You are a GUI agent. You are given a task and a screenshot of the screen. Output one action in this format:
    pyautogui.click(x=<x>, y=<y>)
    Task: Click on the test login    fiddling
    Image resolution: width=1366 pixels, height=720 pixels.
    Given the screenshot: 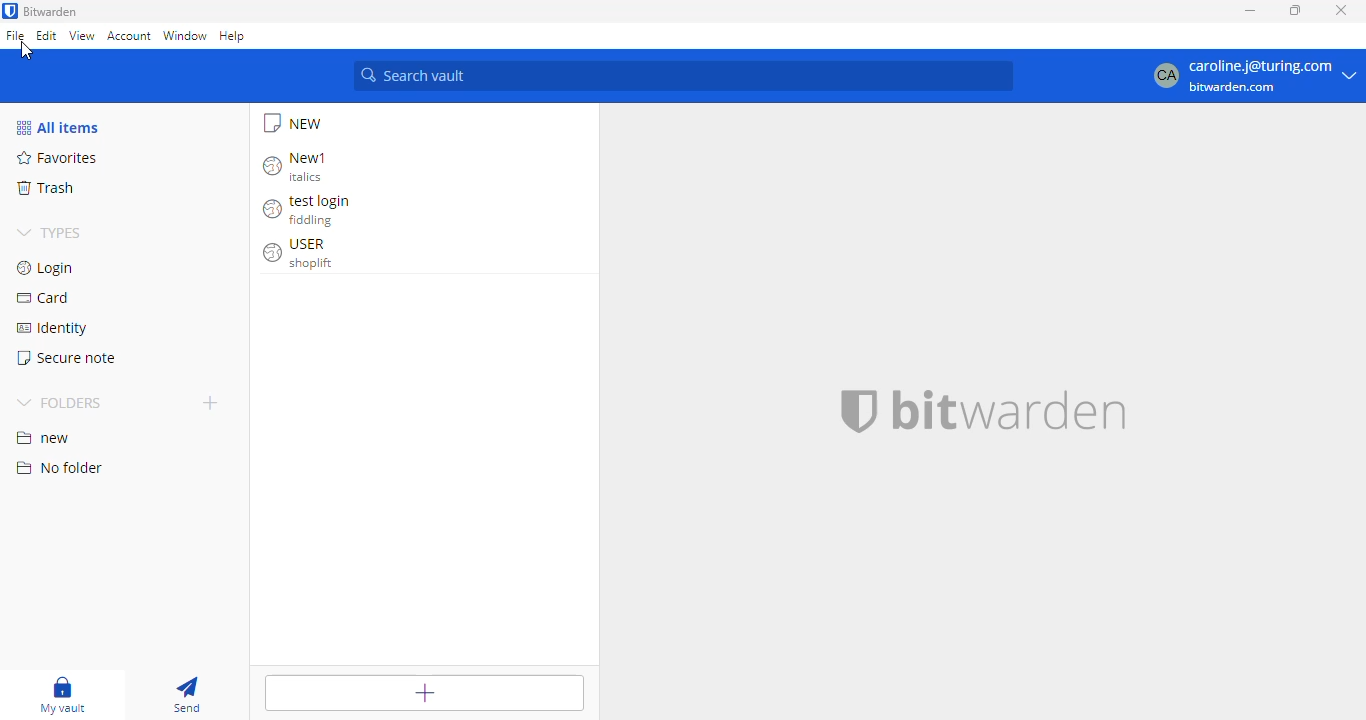 What is the action you would take?
    pyautogui.click(x=311, y=211)
    